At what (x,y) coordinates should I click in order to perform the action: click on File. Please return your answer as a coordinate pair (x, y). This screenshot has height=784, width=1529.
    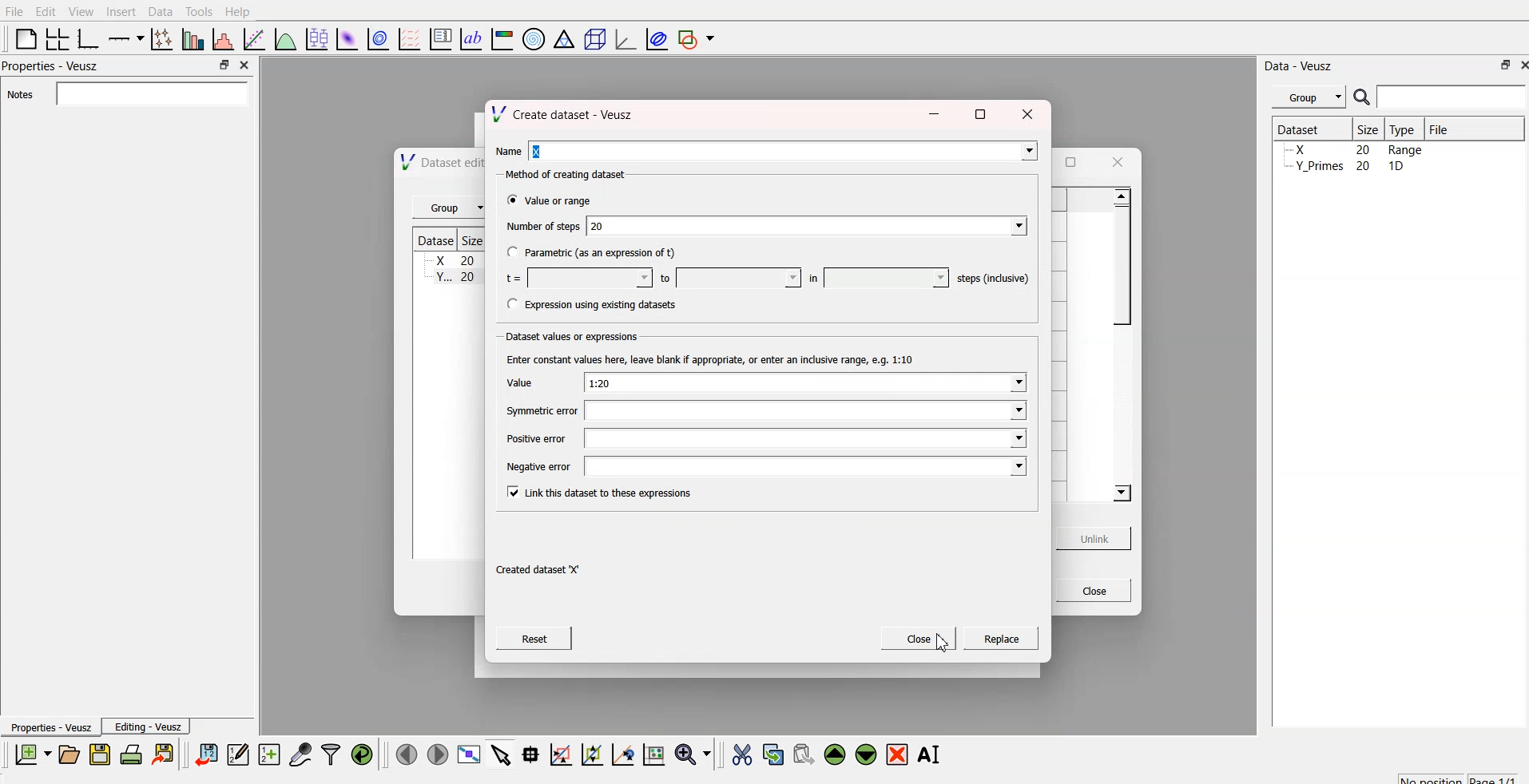
    Looking at the image, I should click on (1438, 127).